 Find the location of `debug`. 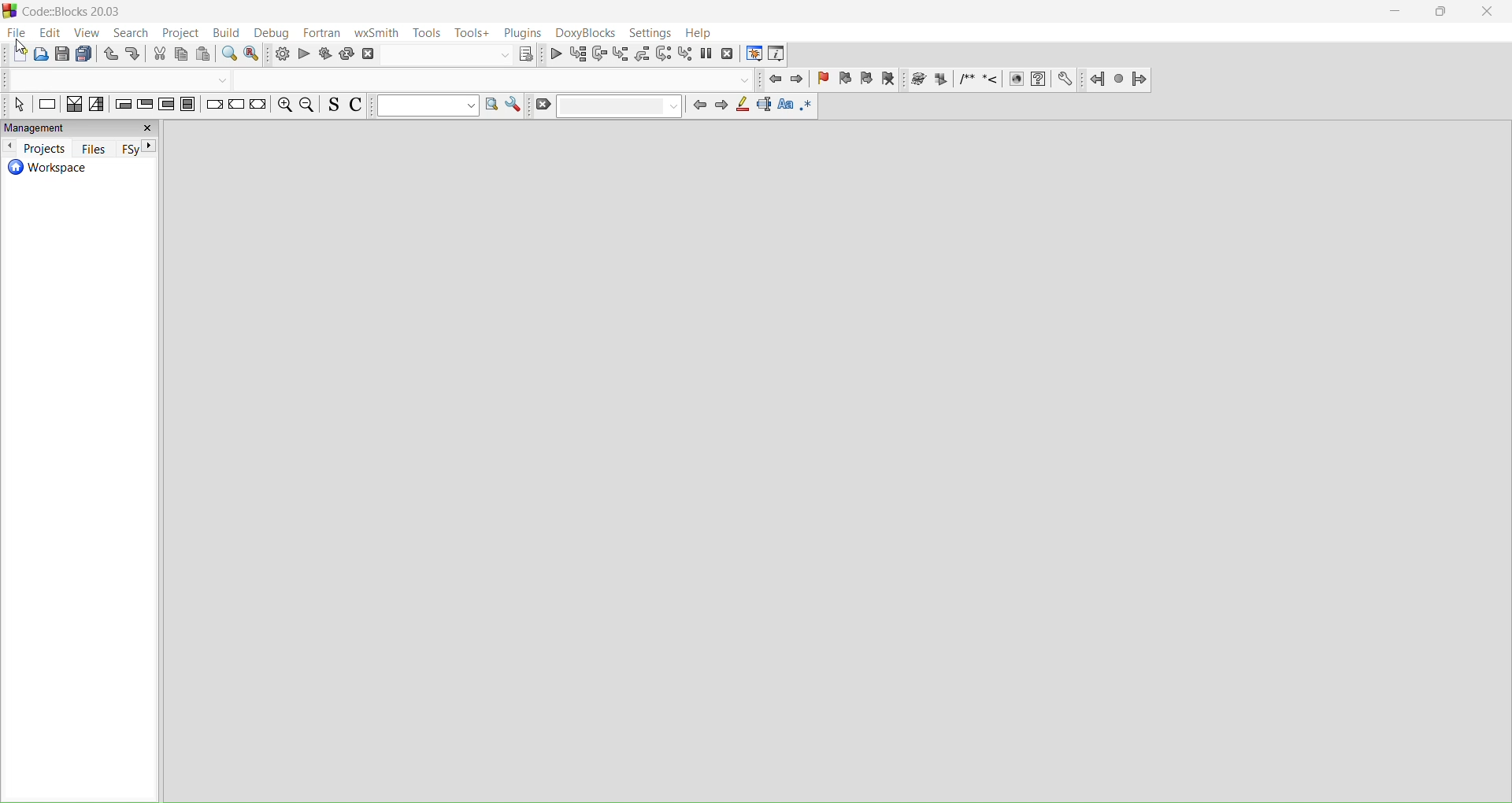

debug is located at coordinates (276, 33).